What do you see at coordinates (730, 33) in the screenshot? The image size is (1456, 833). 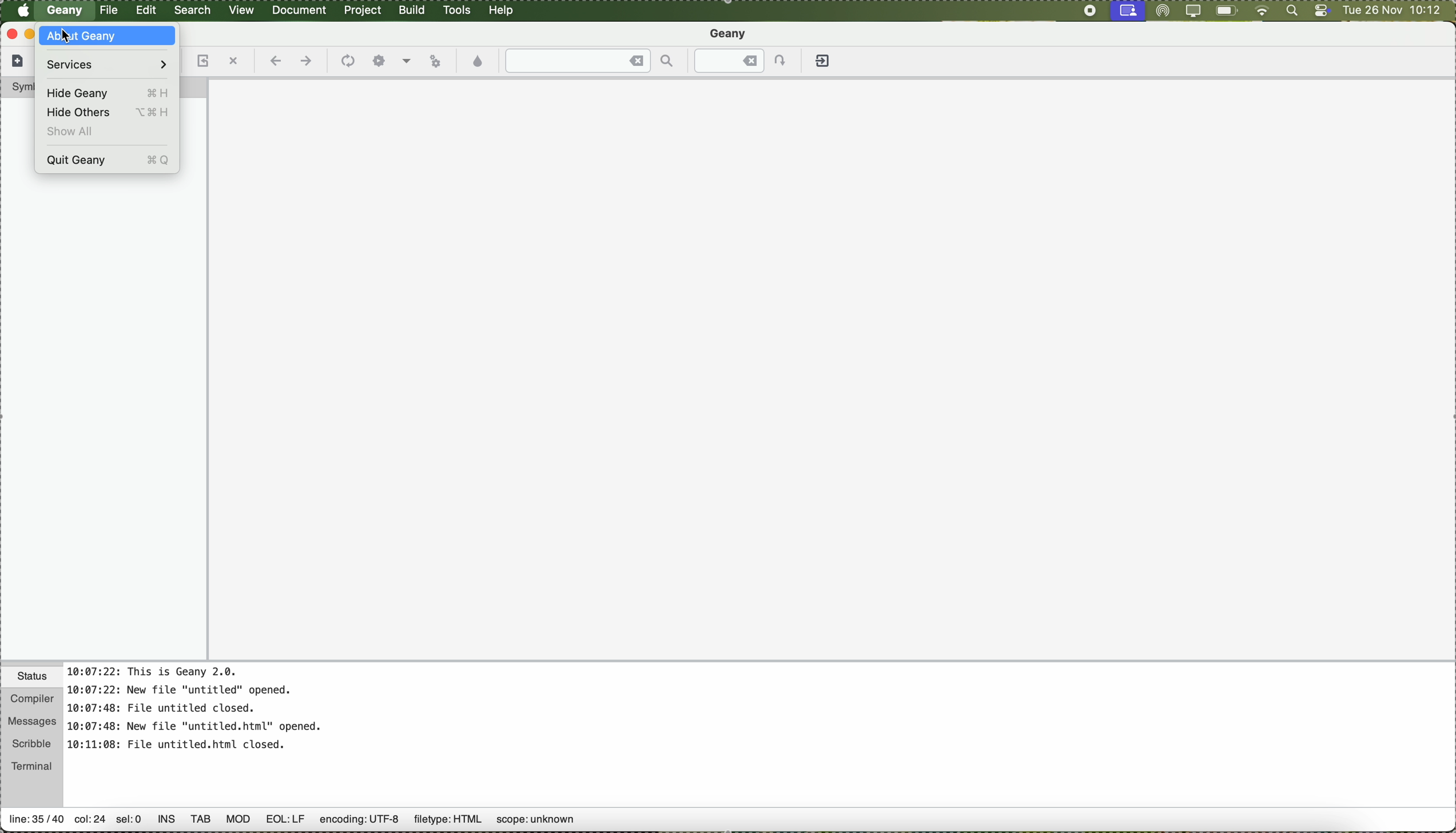 I see `Geany` at bounding box center [730, 33].